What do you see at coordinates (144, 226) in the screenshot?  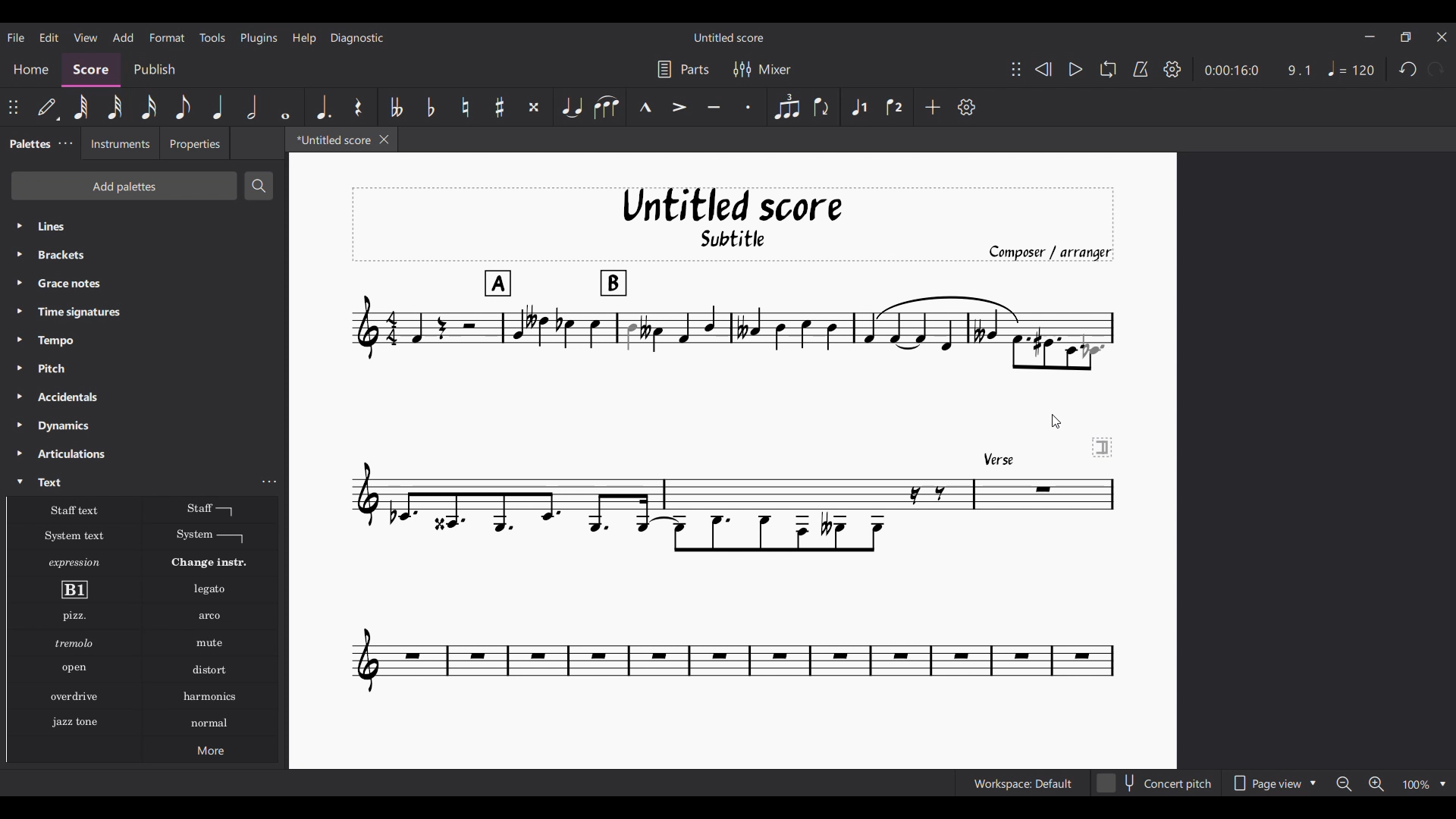 I see `Lines` at bounding box center [144, 226].